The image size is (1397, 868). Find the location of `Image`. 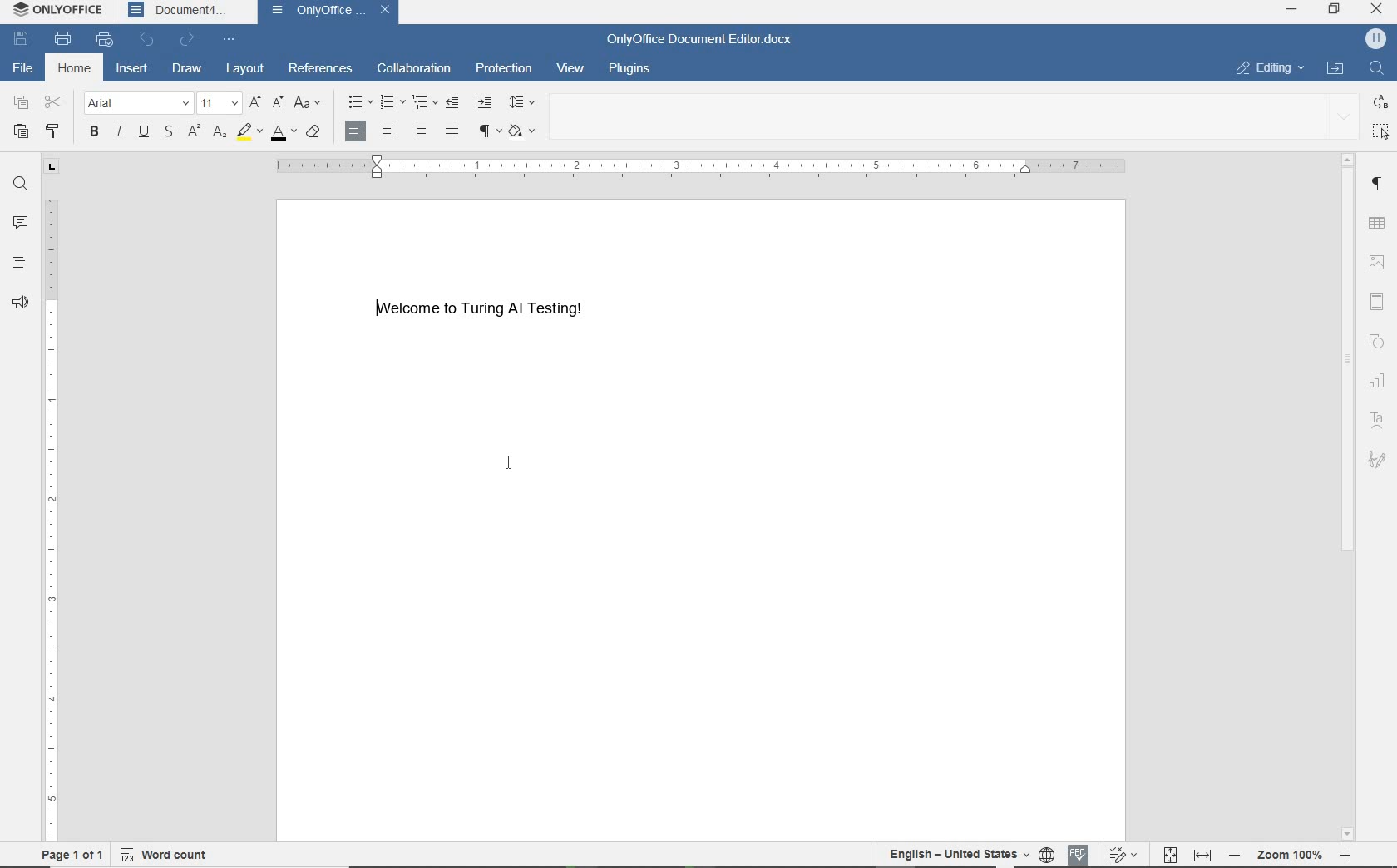

Image is located at coordinates (1380, 263).